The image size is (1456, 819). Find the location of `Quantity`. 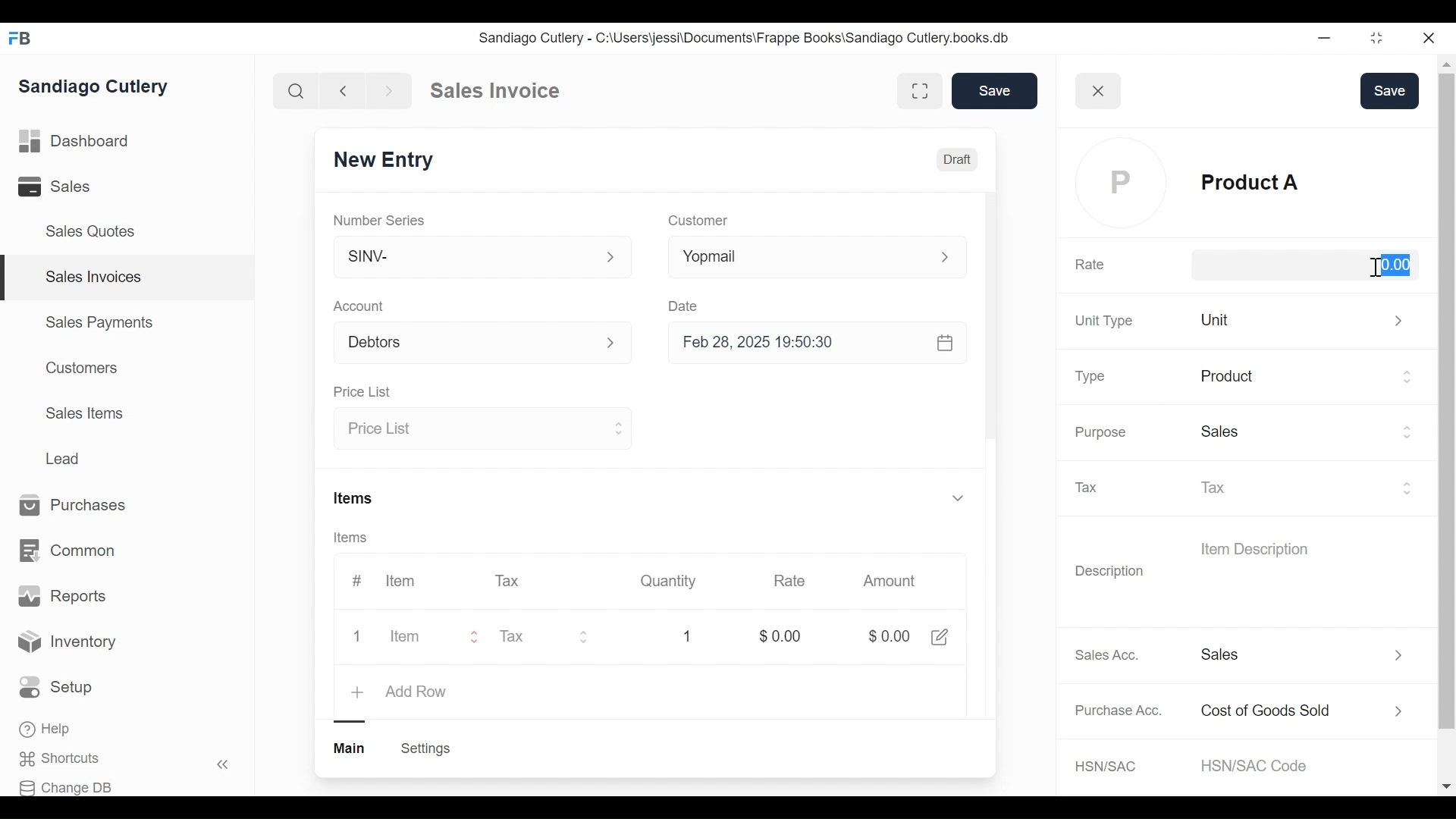

Quantity is located at coordinates (667, 581).